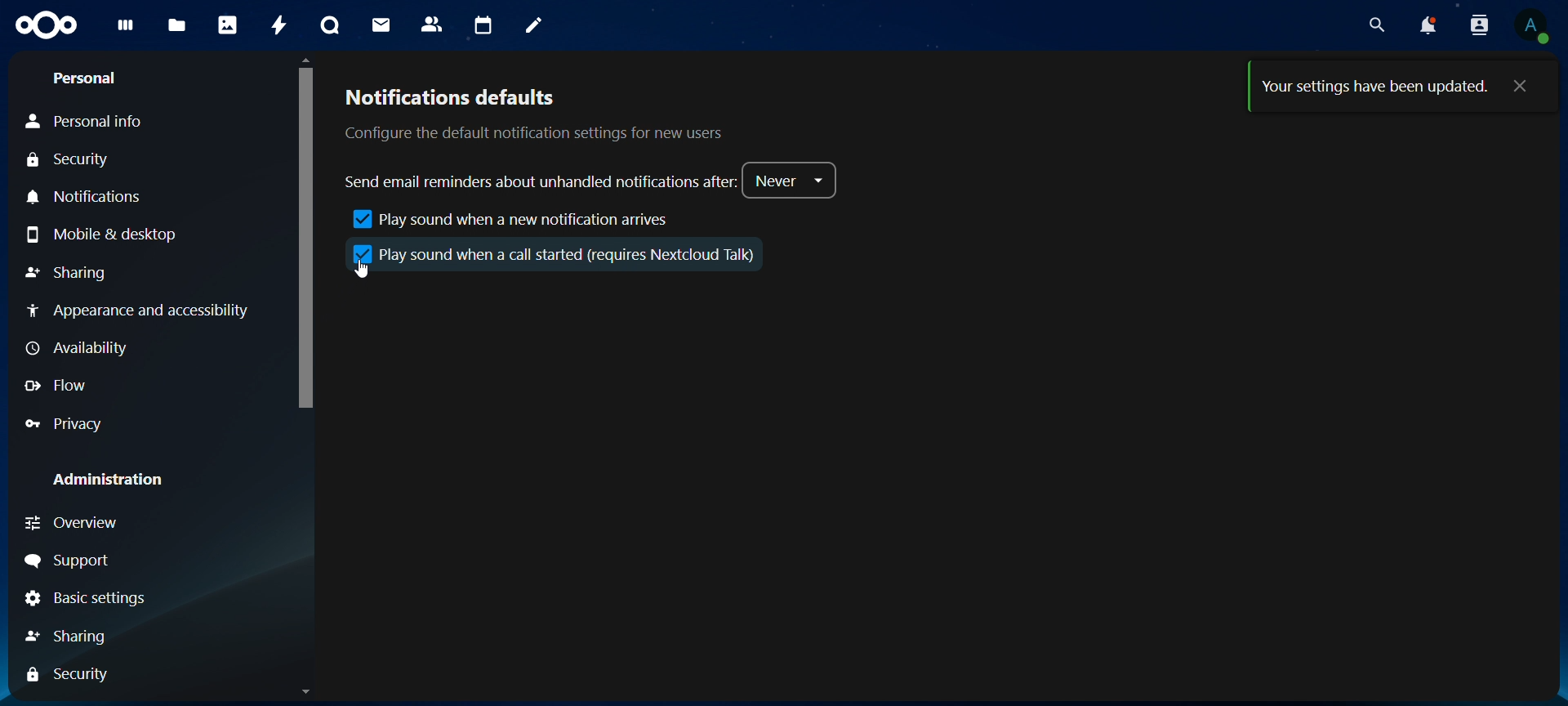 The width and height of the screenshot is (1568, 706). I want to click on text, so click(1376, 90).